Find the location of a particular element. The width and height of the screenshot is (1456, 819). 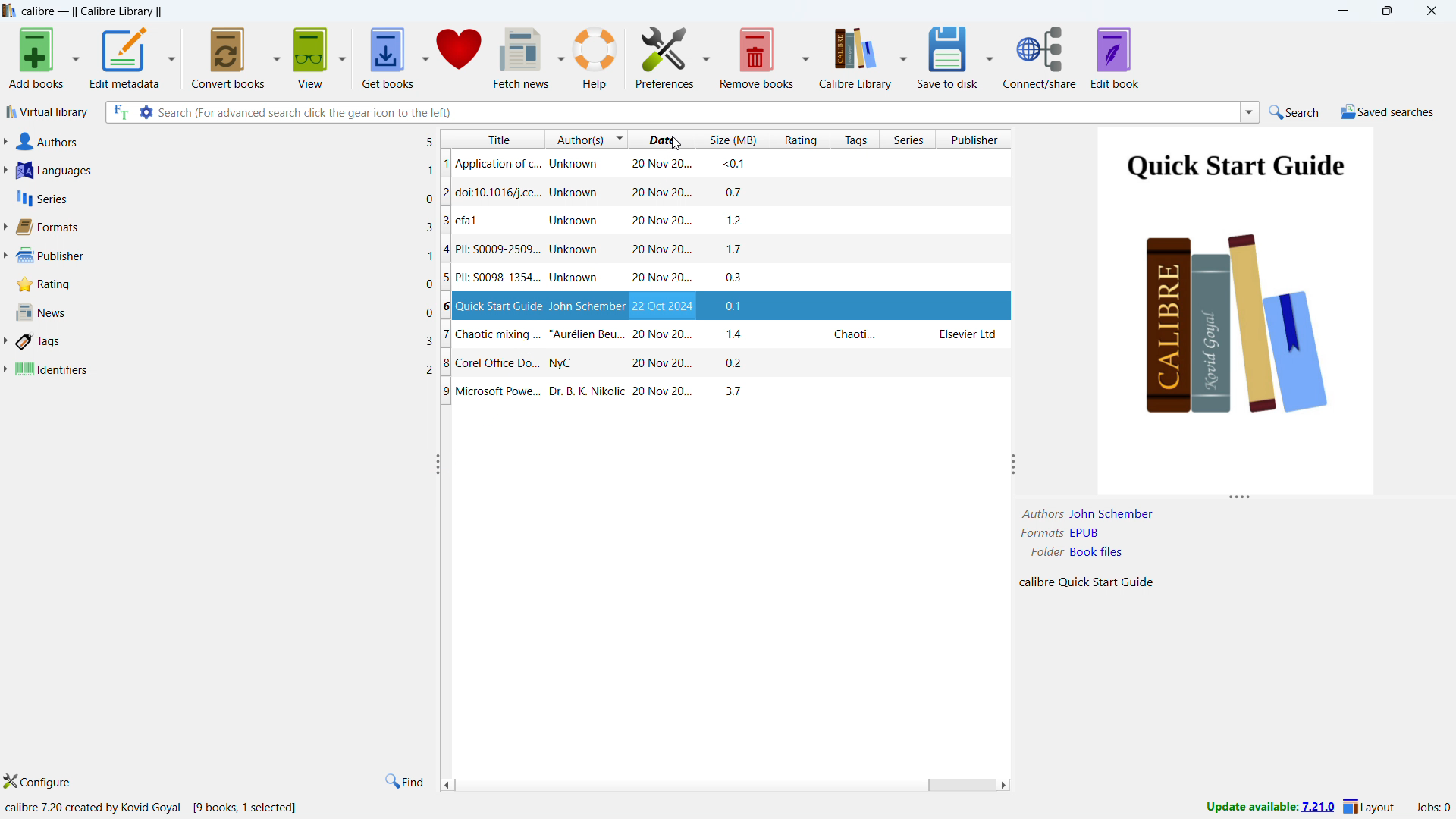

authors is located at coordinates (576, 141).